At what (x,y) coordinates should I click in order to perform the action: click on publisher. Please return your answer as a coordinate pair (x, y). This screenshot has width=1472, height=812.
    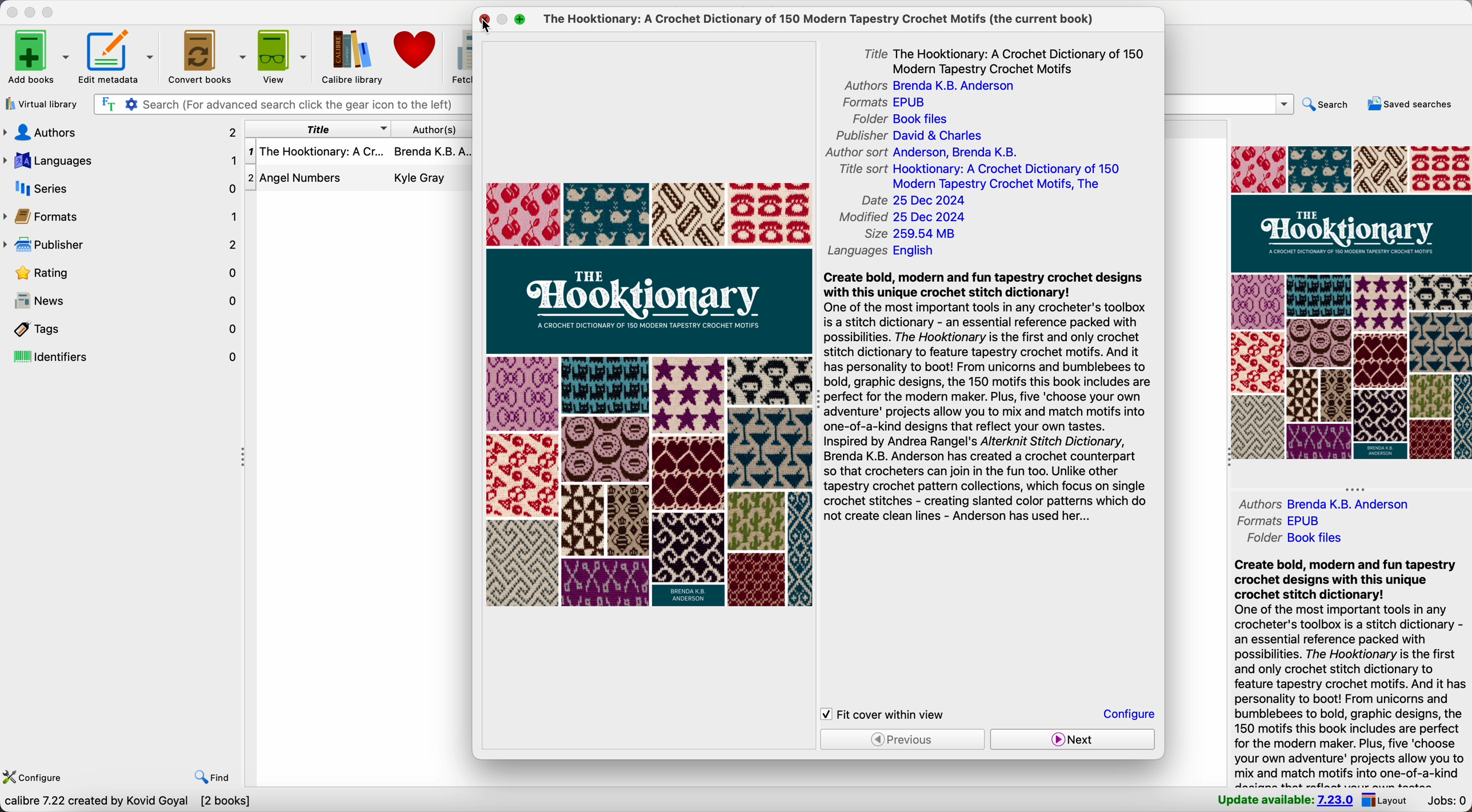
    Looking at the image, I should click on (122, 247).